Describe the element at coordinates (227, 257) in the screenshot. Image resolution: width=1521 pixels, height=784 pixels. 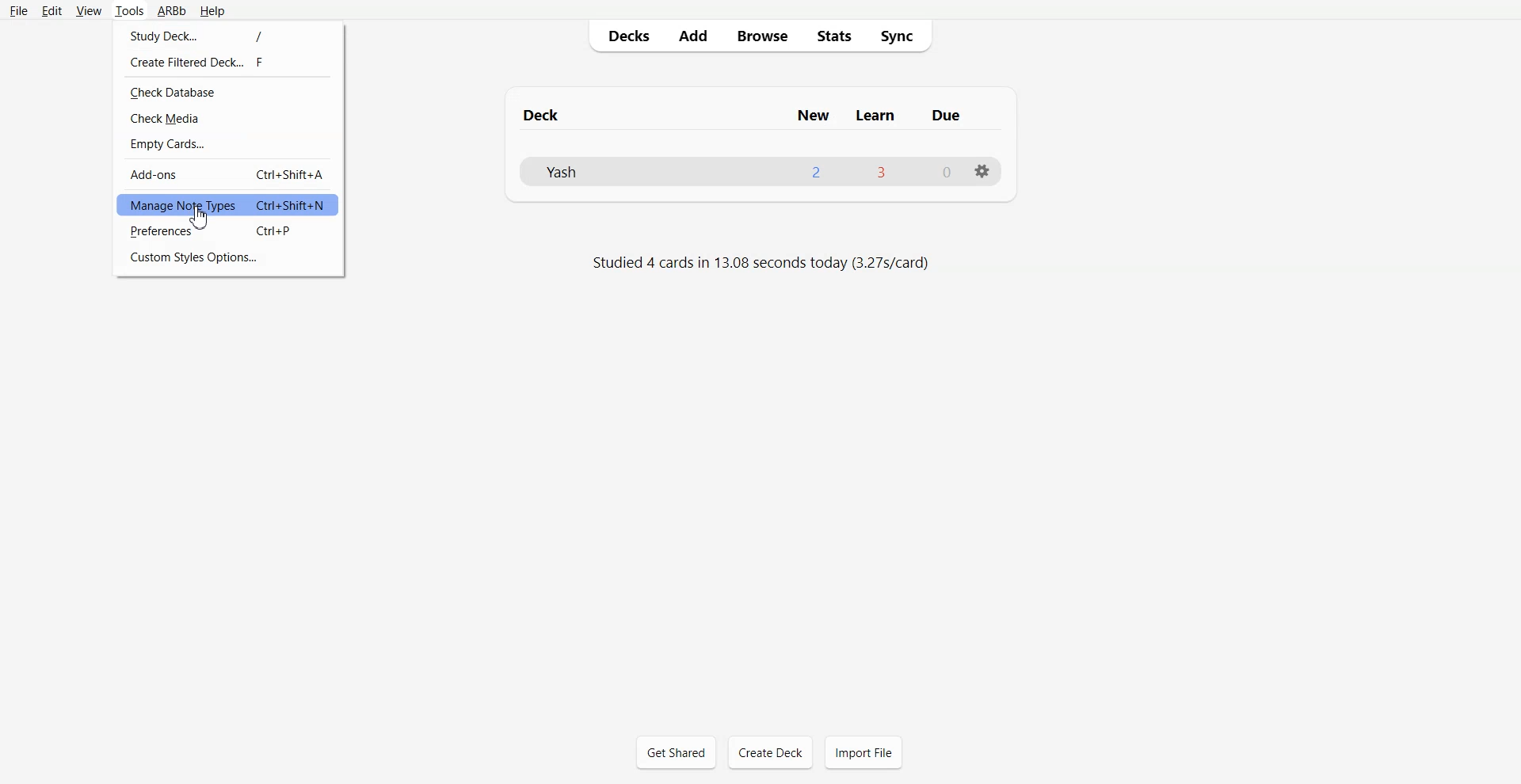
I see `Custom Style Options` at that location.